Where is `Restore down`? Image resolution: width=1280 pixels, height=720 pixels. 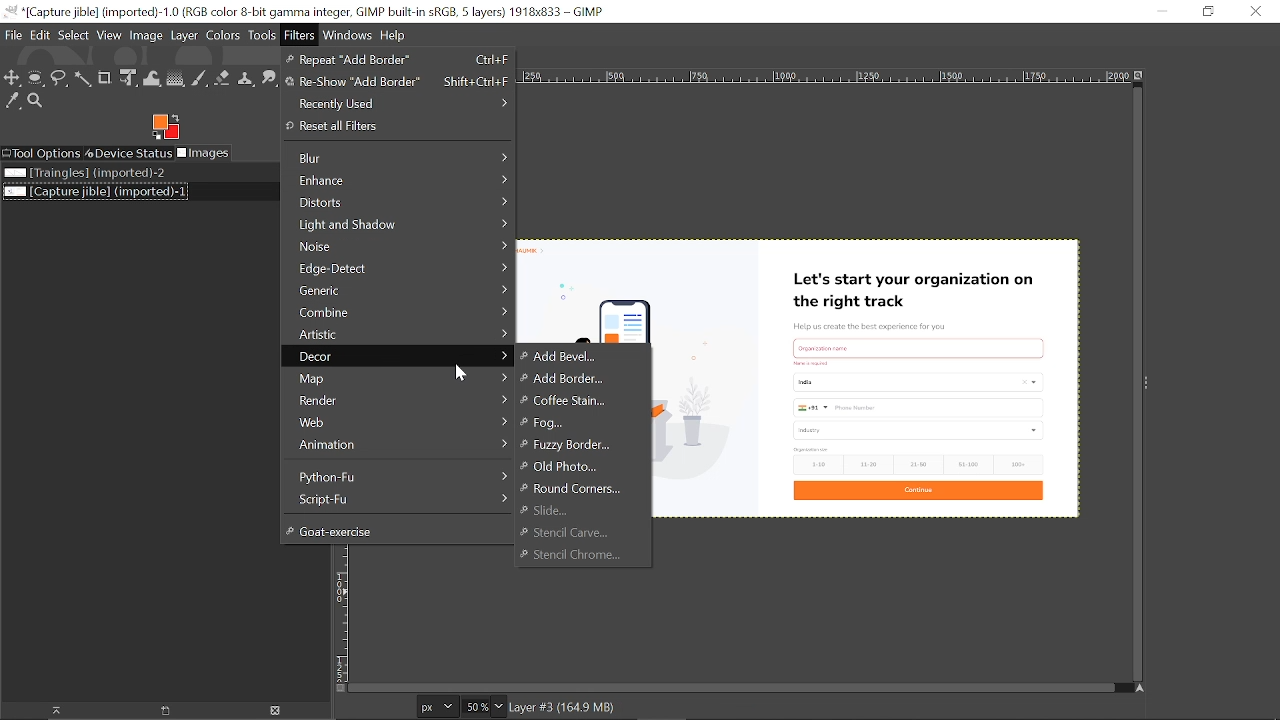 Restore down is located at coordinates (1207, 11).